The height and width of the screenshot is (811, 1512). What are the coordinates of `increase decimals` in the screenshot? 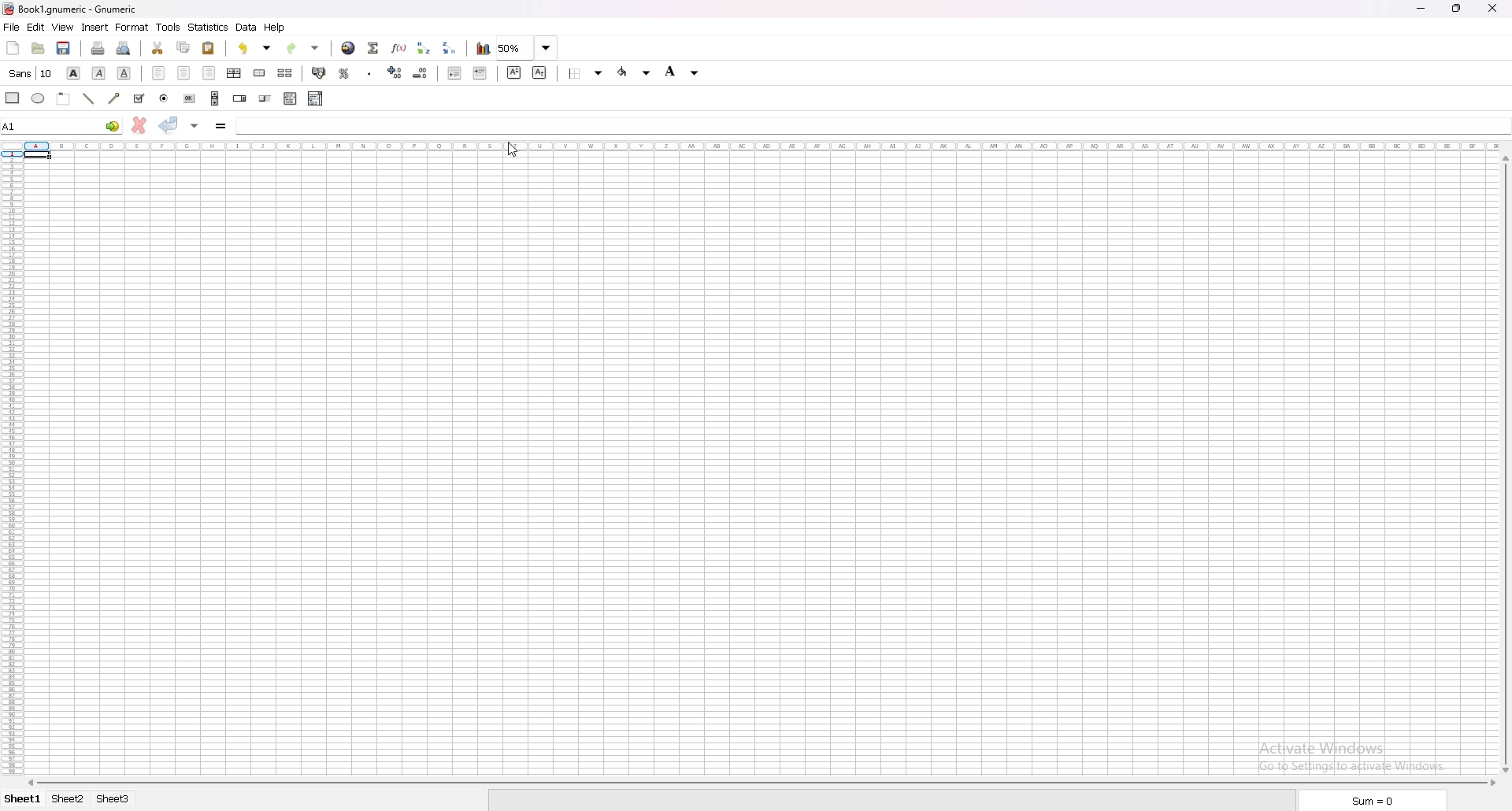 It's located at (395, 72).